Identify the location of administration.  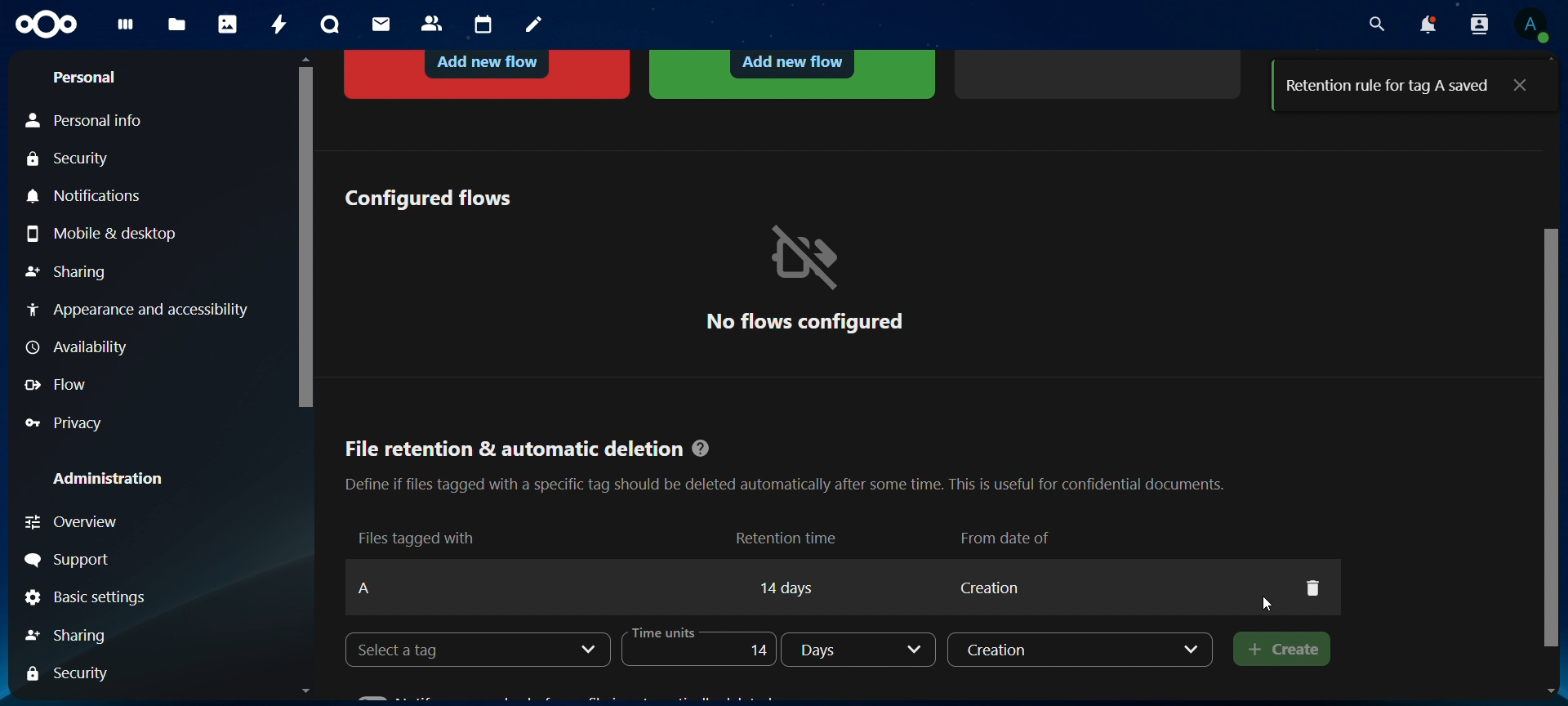
(109, 478).